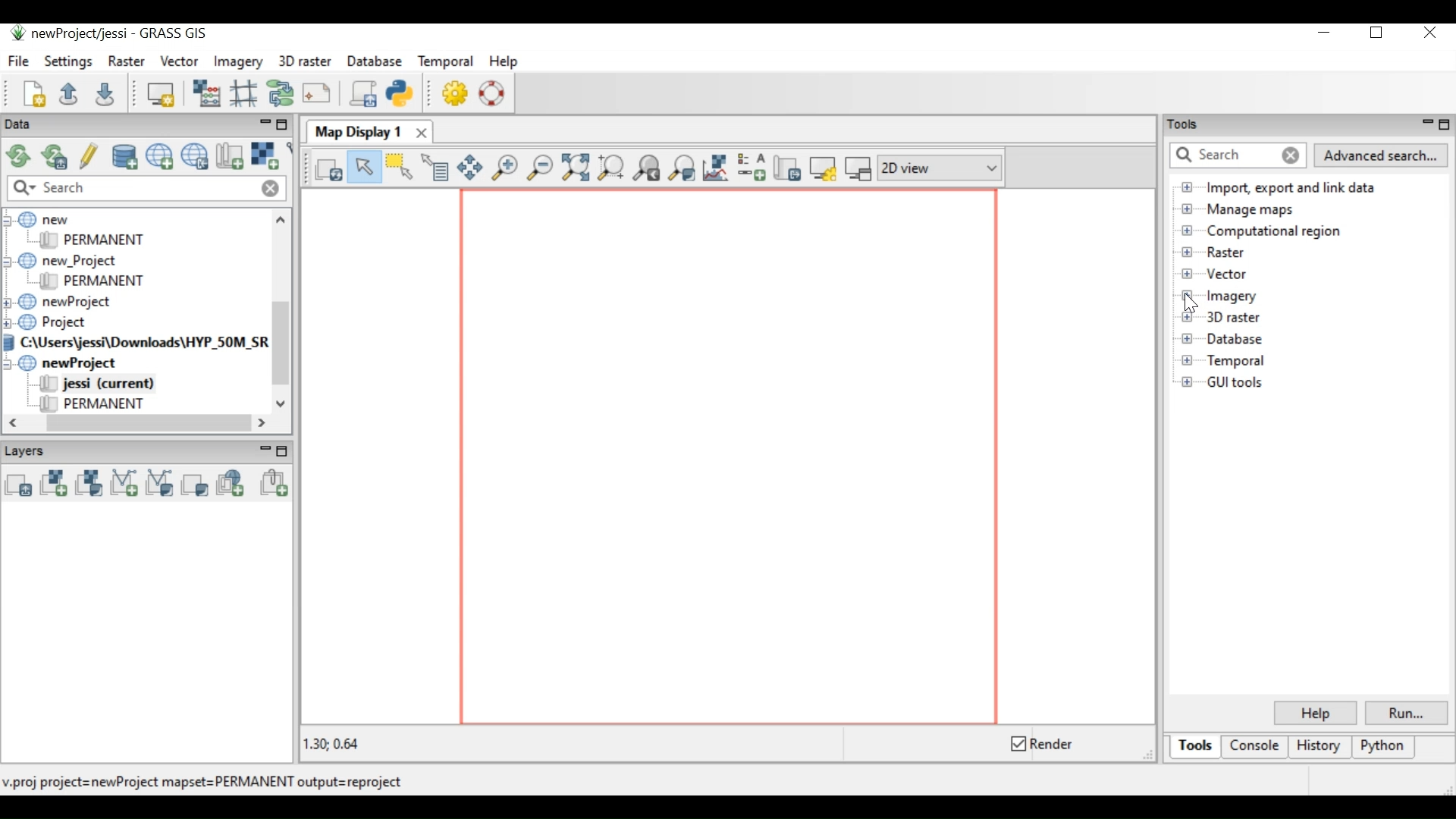 The image size is (1456, 819). Describe the element at coordinates (105, 238) in the screenshot. I see `PERMANENT` at that location.